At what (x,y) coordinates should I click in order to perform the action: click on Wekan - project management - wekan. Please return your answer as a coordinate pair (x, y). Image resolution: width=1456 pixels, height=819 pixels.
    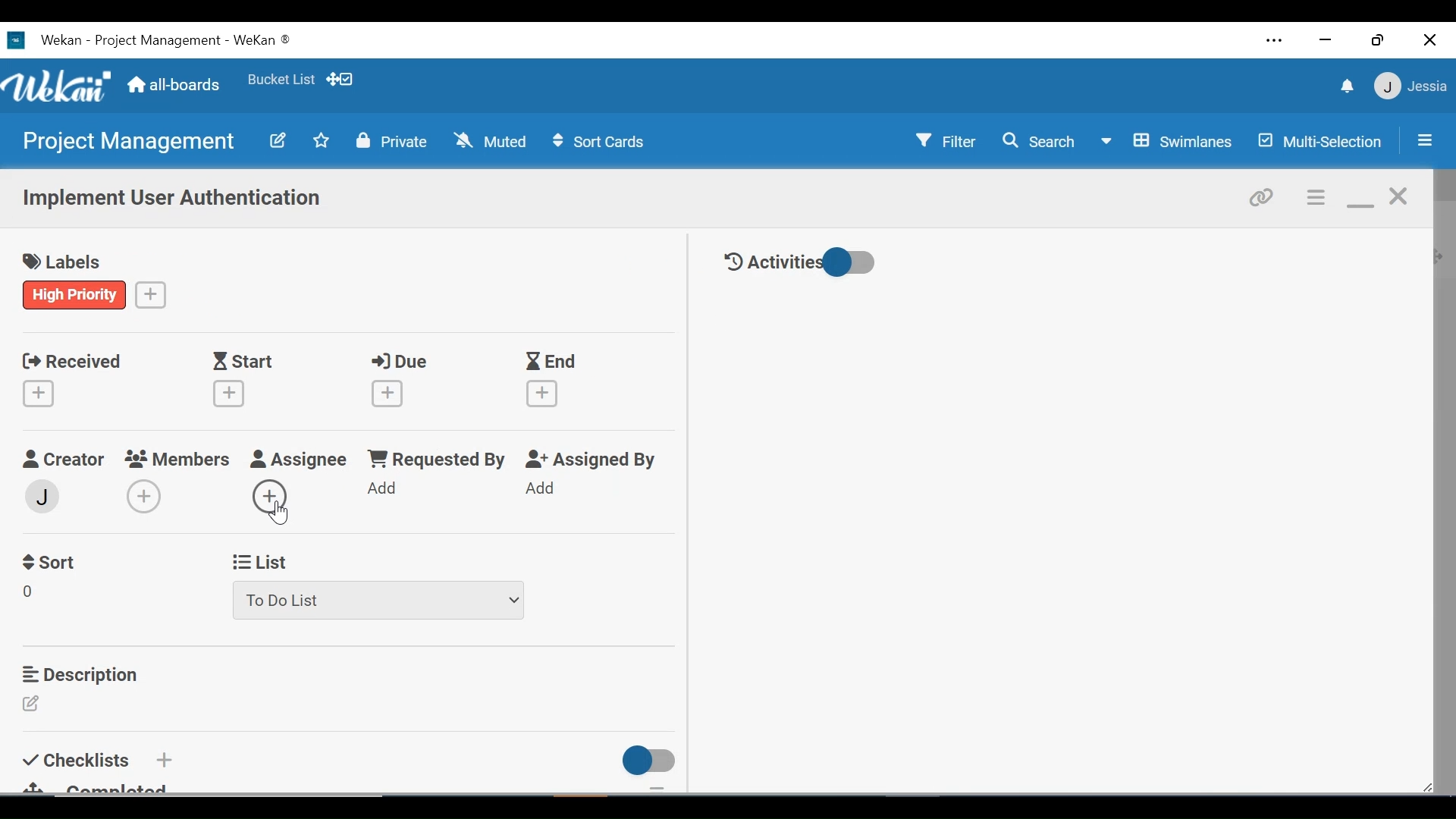
    Looking at the image, I should click on (188, 38).